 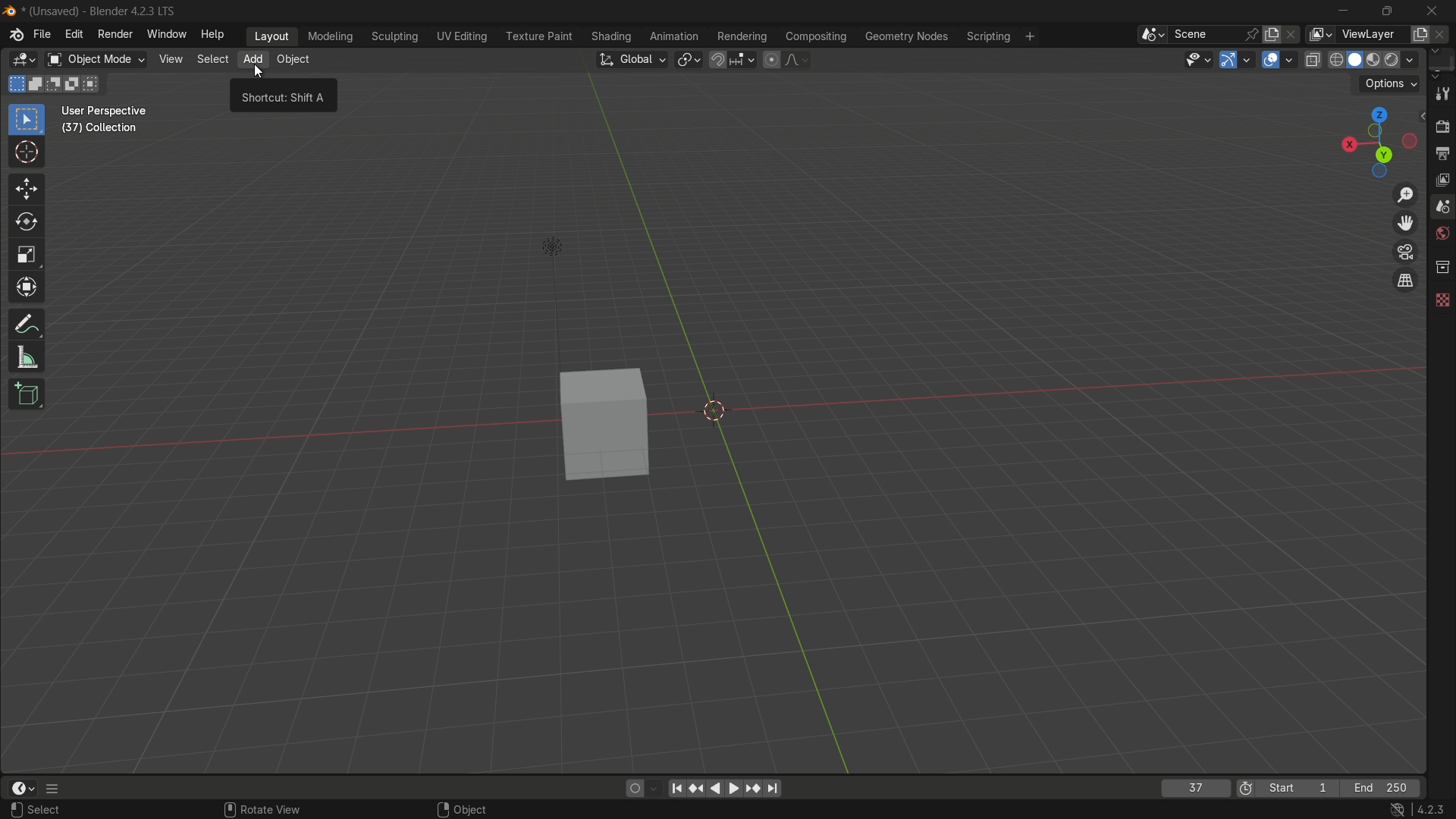 I want to click on render menu, so click(x=113, y=35).